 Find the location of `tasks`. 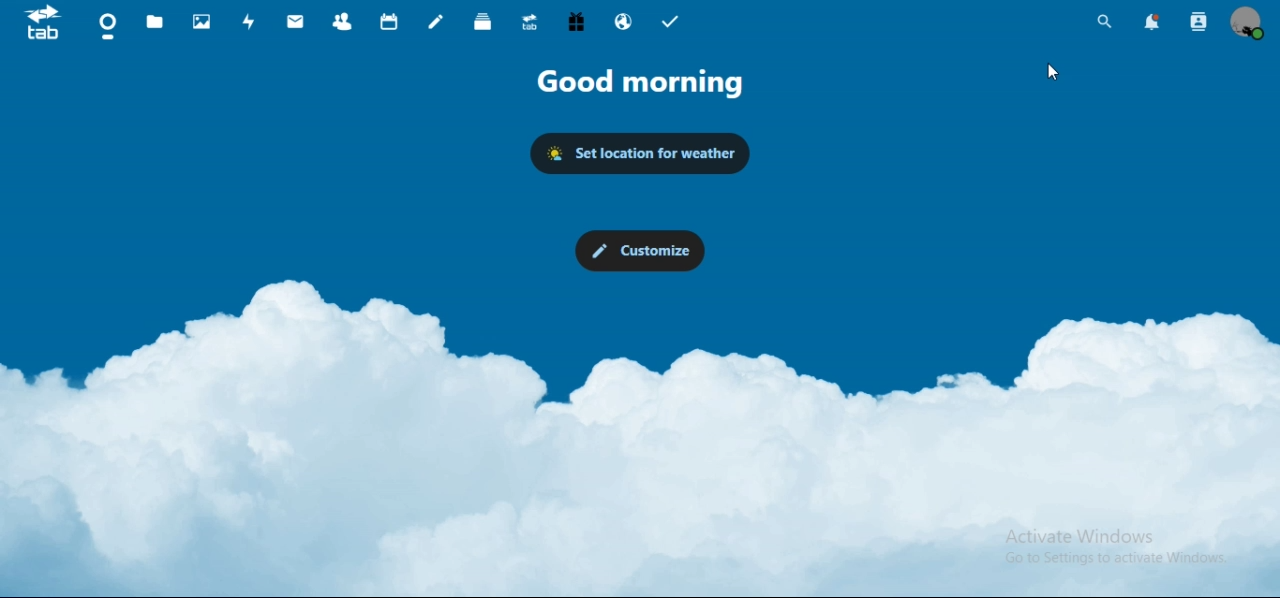

tasks is located at coordinates (669, 22).